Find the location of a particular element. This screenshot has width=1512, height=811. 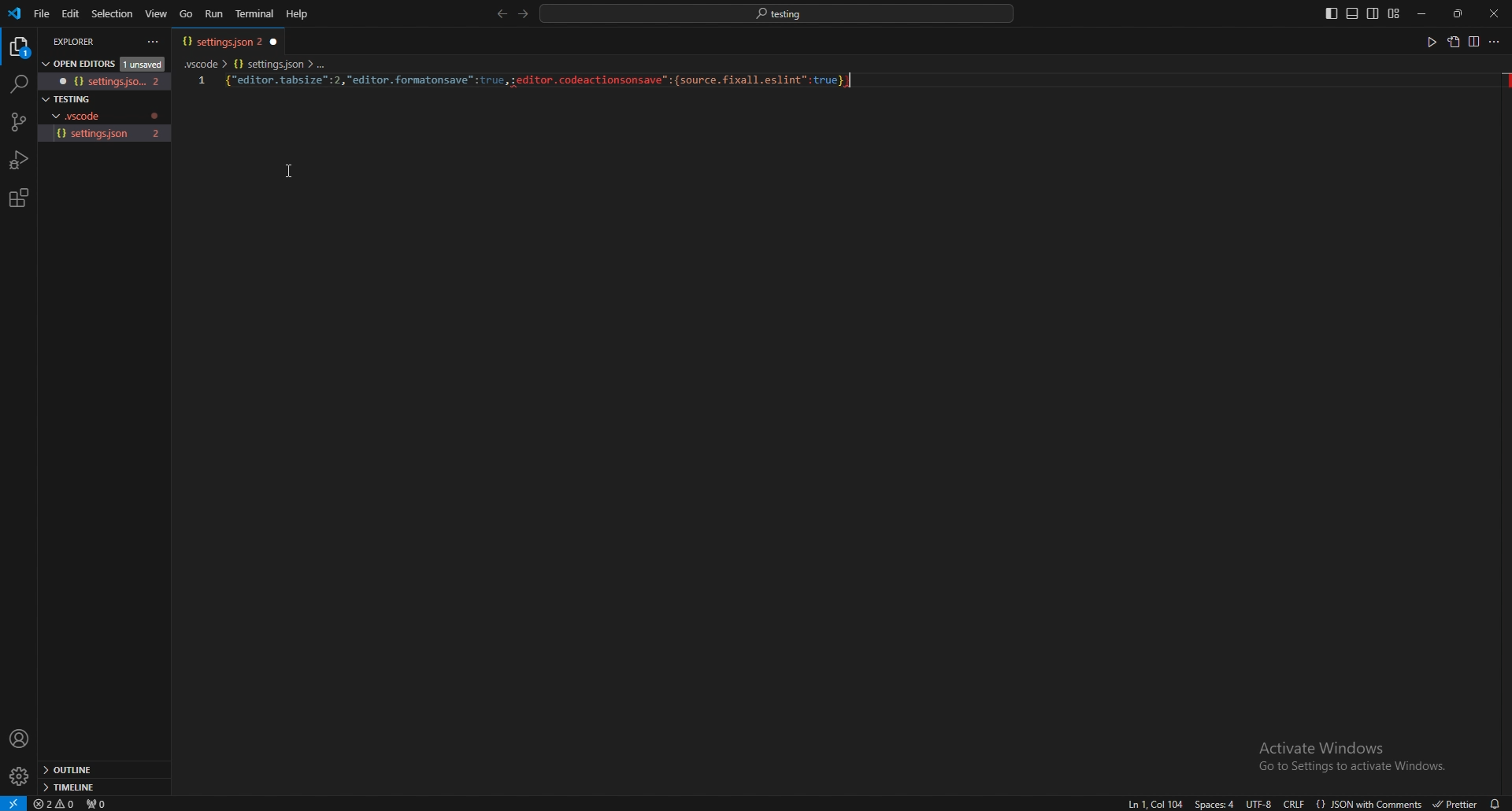

resize is located at coordinates (1459, 14).